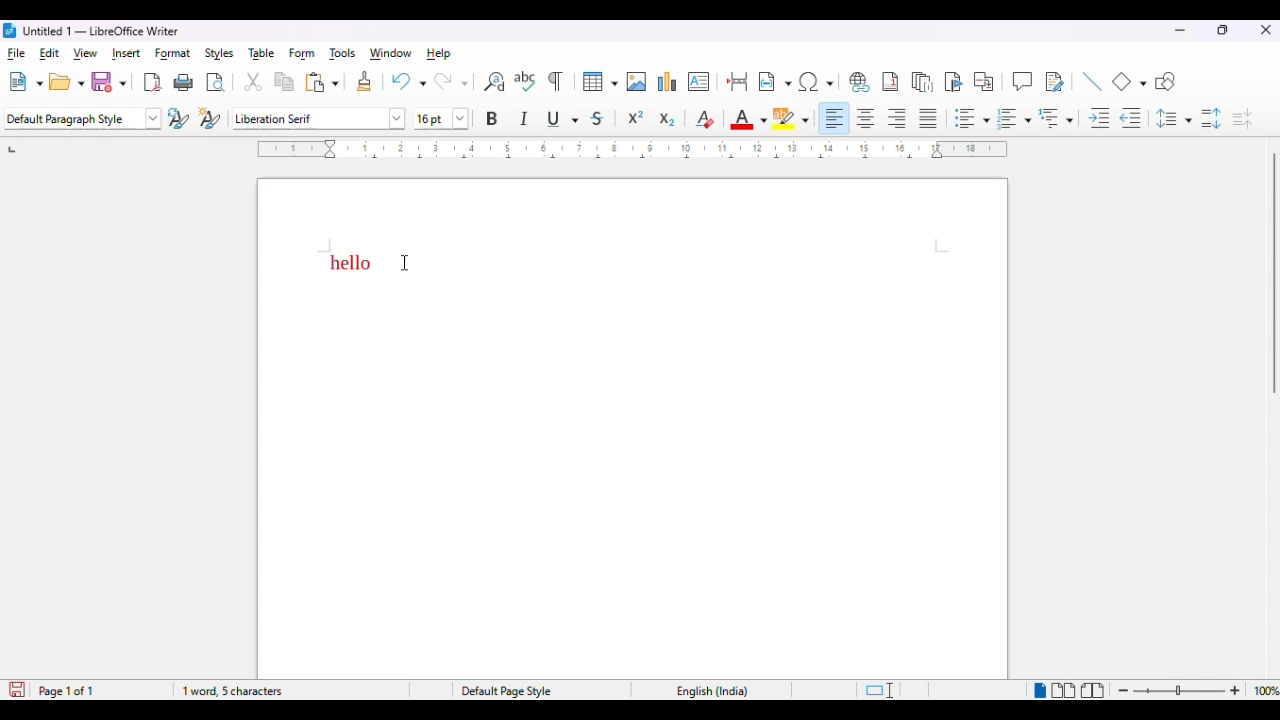 The height and width of the screenshot is (720, 1280). Describe the element at coordinates (1054, 82) in the screenshot. I see `show track changes functions` at that location.